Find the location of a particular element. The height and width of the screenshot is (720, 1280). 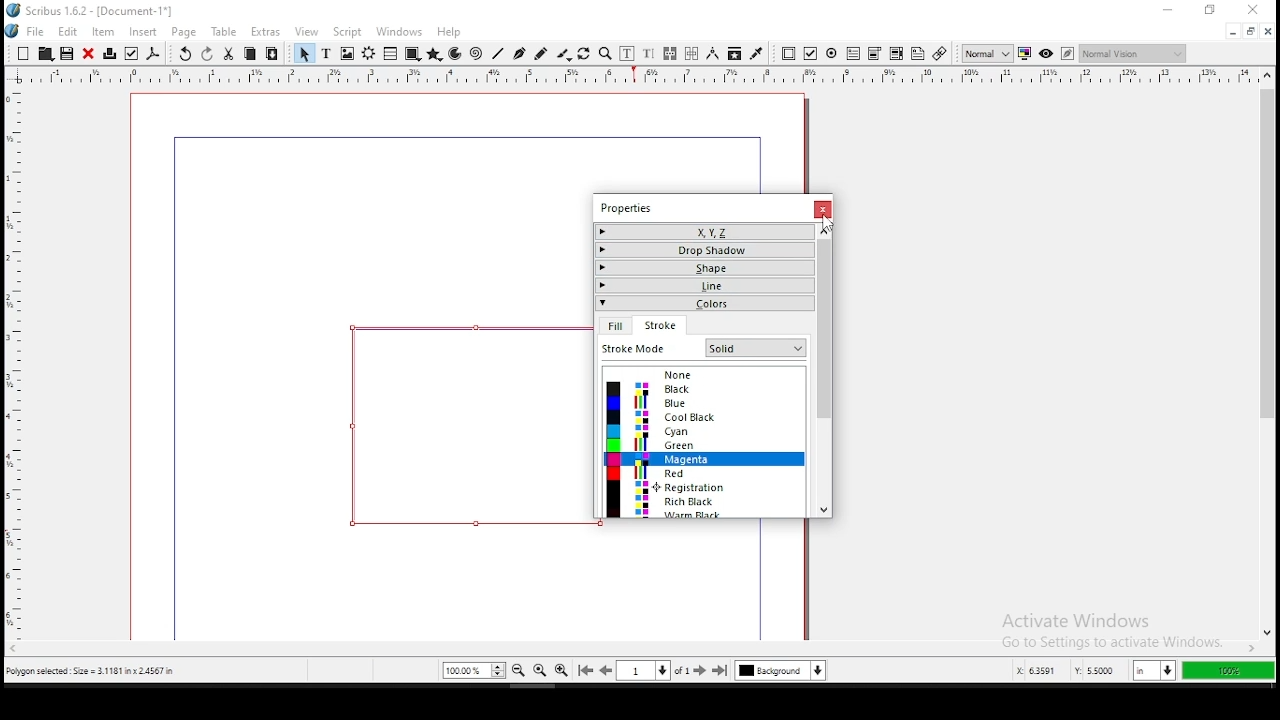

extras is located at coordinates (265, 32).